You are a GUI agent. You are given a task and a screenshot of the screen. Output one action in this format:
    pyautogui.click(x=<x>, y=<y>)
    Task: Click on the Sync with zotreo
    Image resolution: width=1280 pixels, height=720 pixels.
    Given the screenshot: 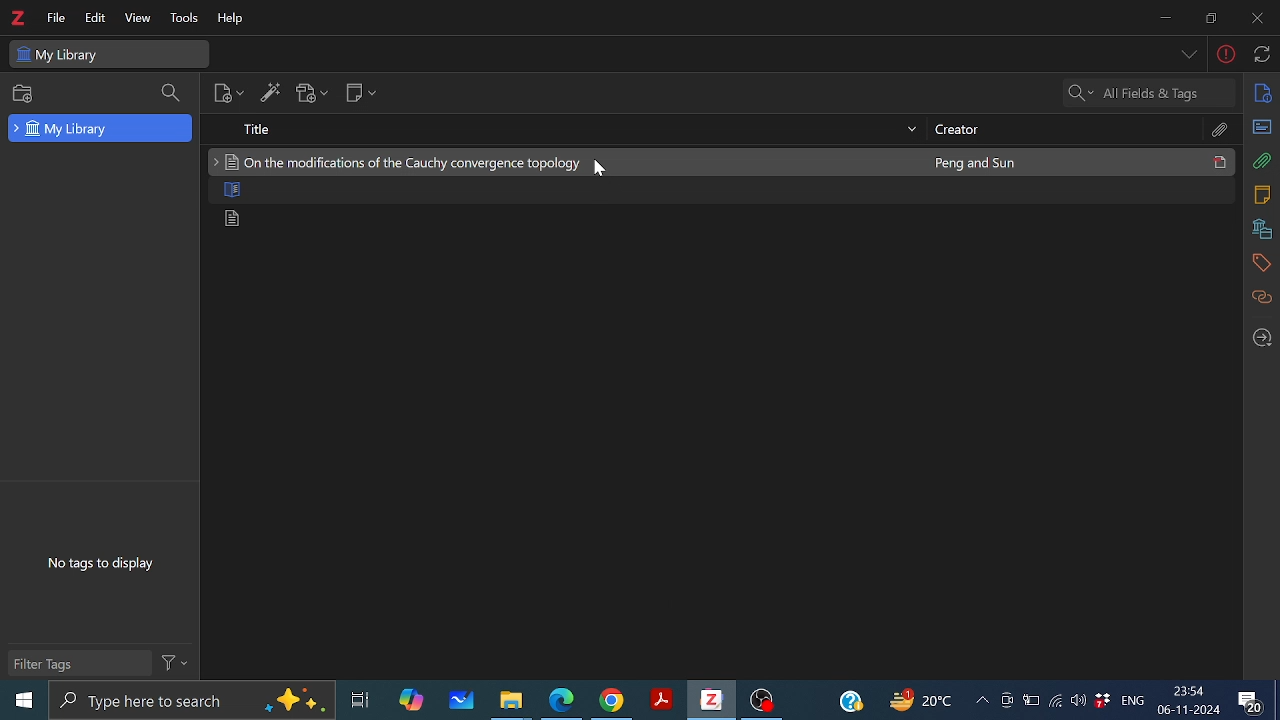 What is the action you would take?
    pyautogui.click(x=1262, y=57)
    